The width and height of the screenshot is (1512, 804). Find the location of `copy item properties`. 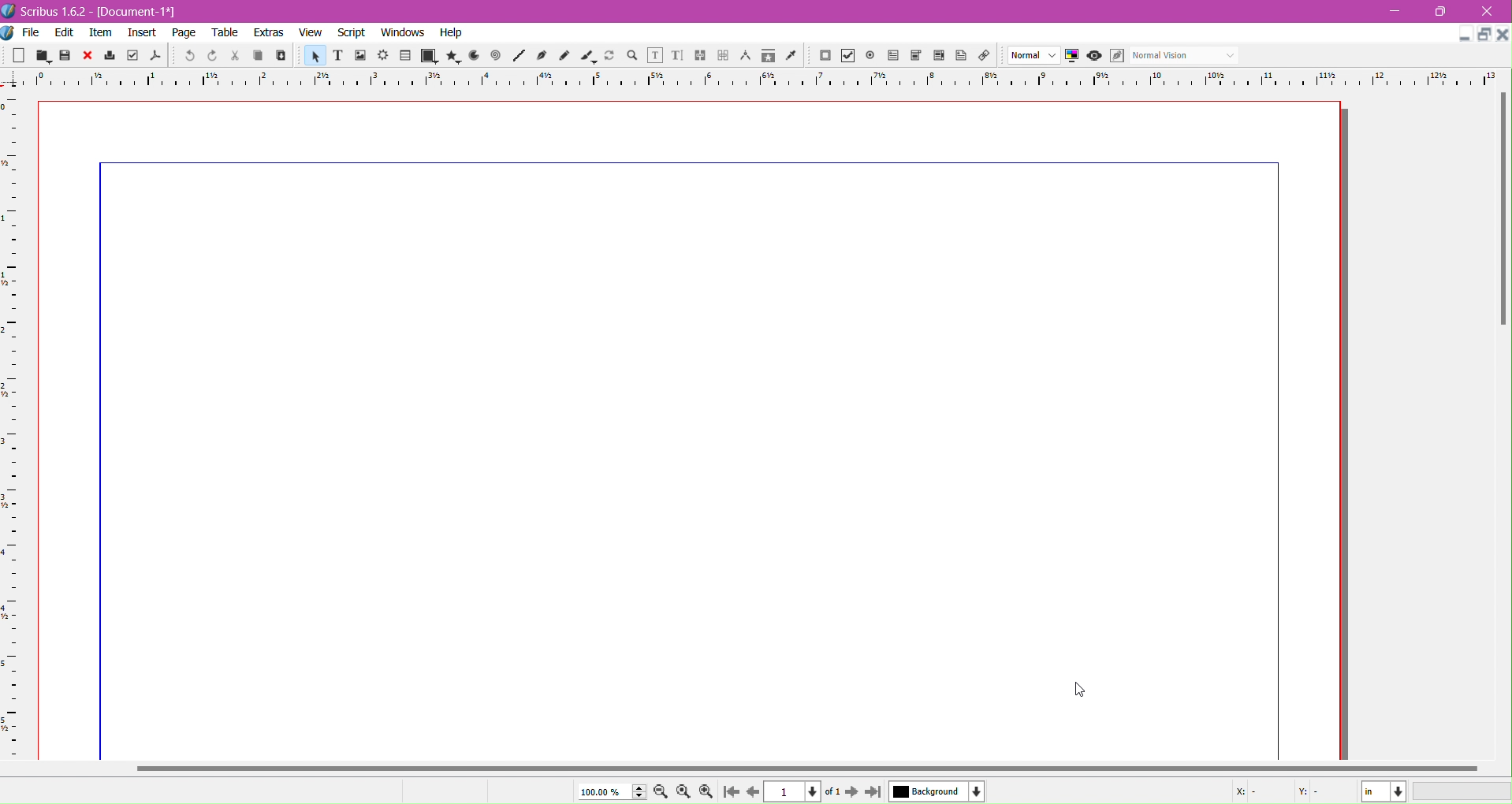

copy item properties is located at coordinates (768, 58).